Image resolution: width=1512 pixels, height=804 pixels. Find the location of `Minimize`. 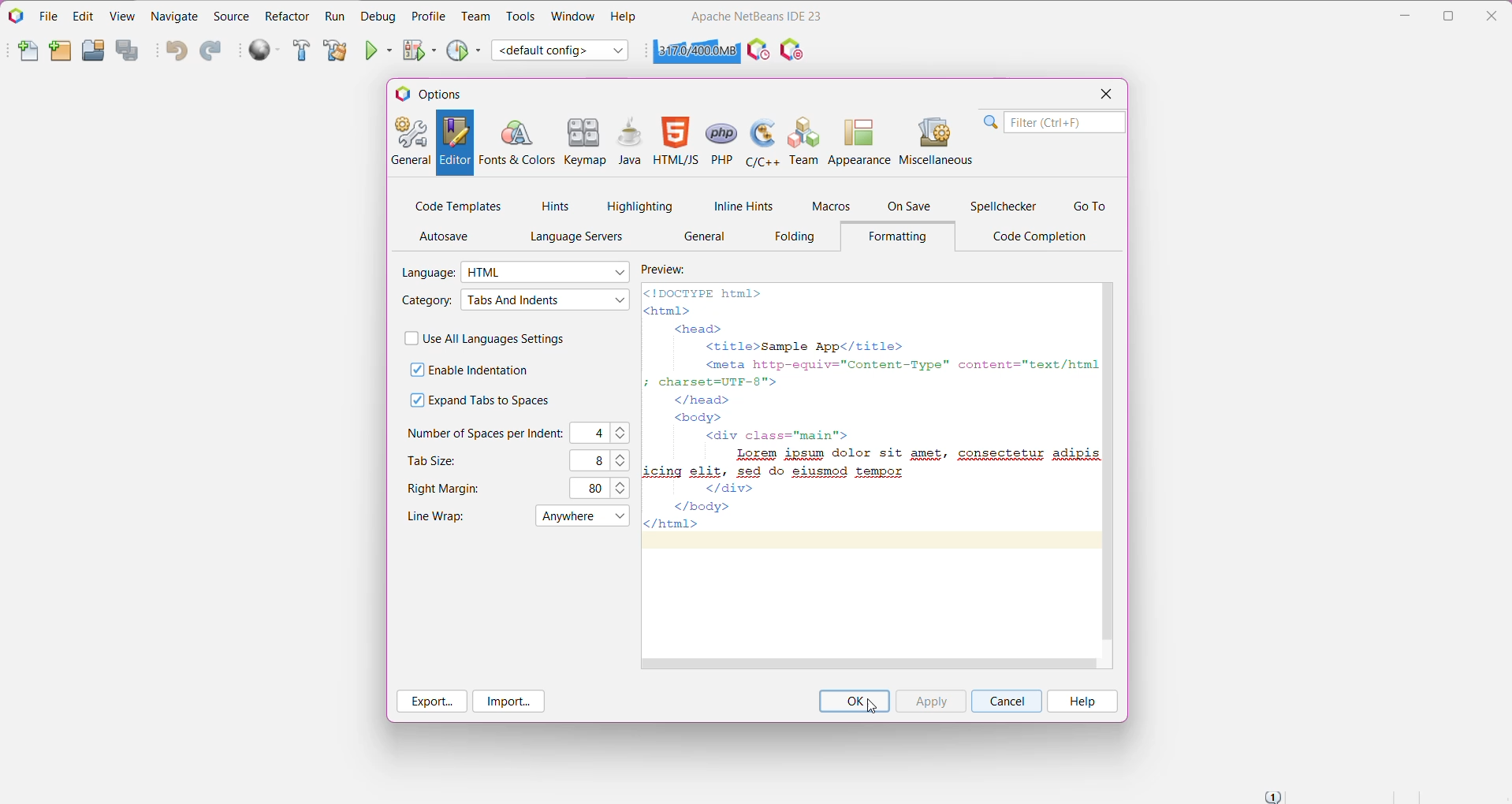

Minimize is located at coordinates (1405, 16).